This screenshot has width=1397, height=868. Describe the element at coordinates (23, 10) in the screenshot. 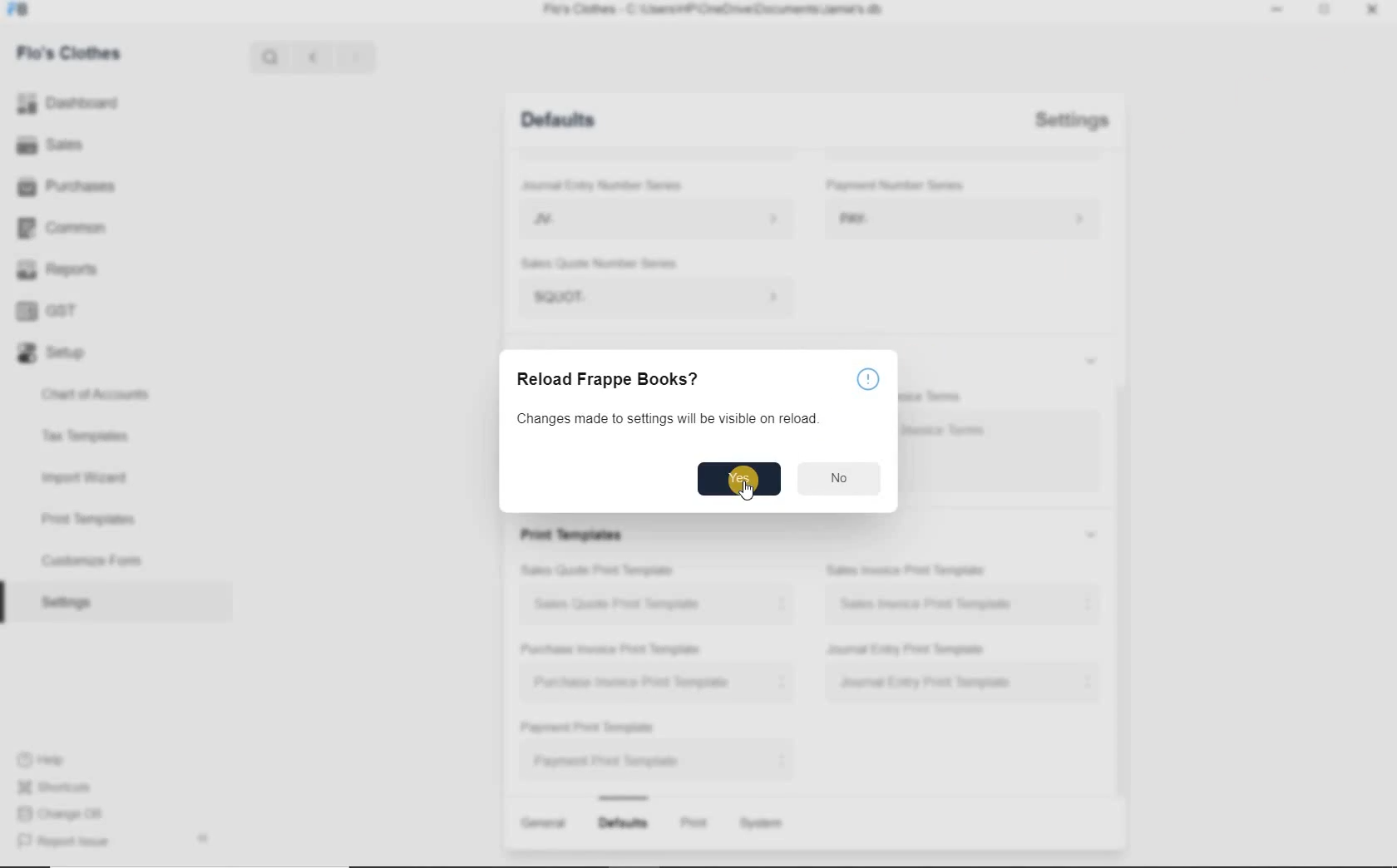

I see `FB logo` at that location.